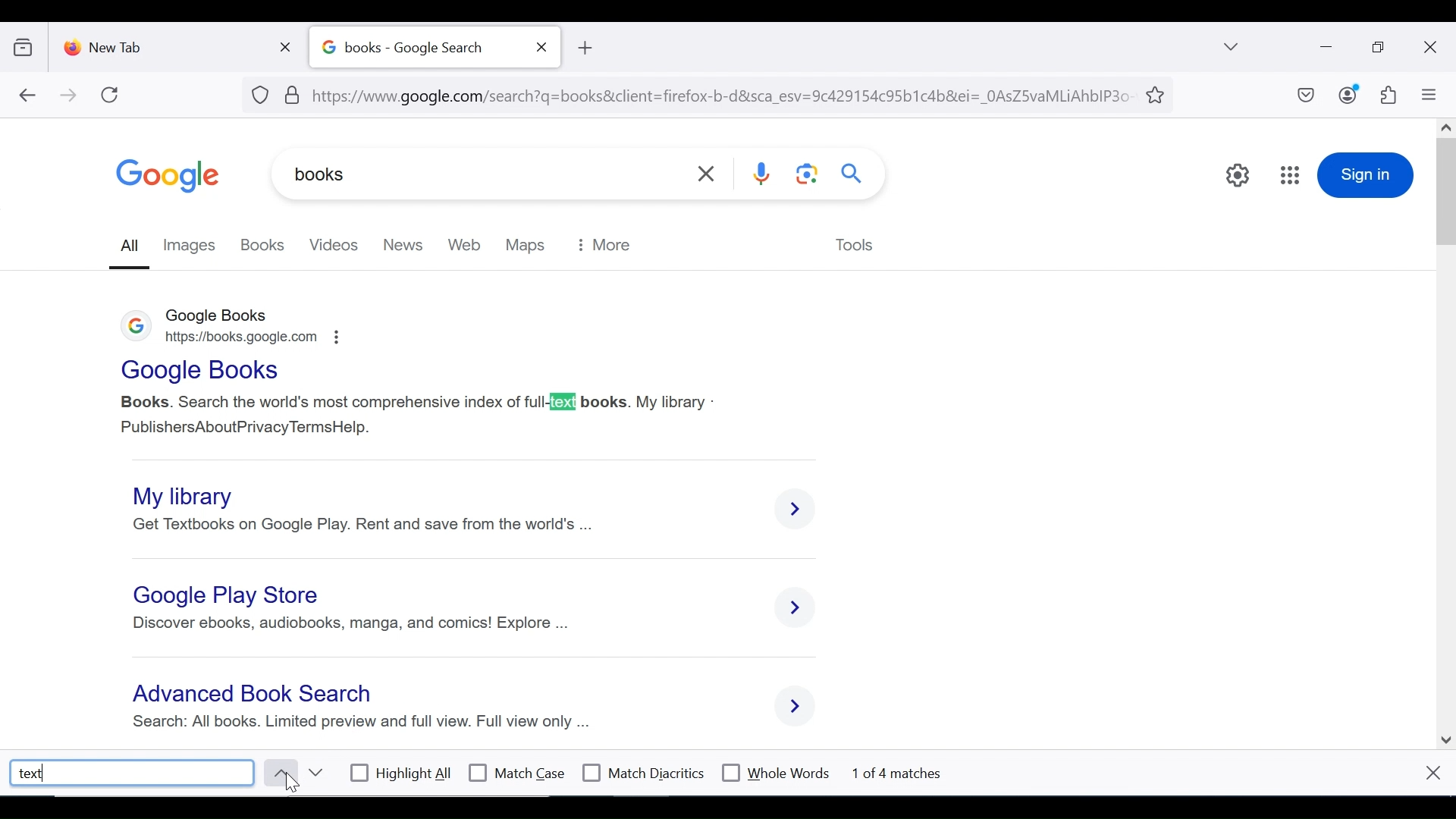  Describe the element at coordinates (608, 243) in the screenshot. I see `more` at that location.